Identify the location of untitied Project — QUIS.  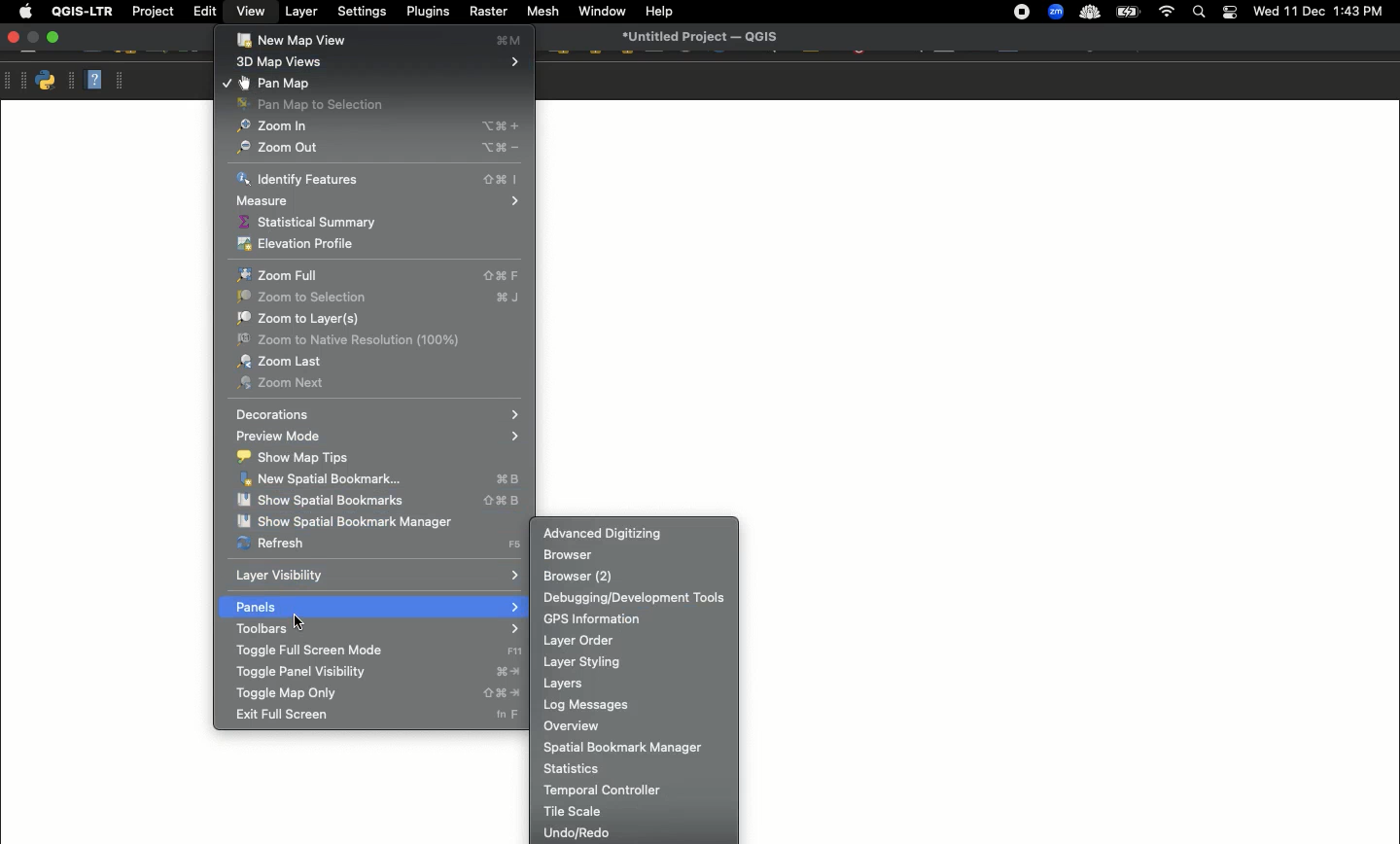
(701, 36).